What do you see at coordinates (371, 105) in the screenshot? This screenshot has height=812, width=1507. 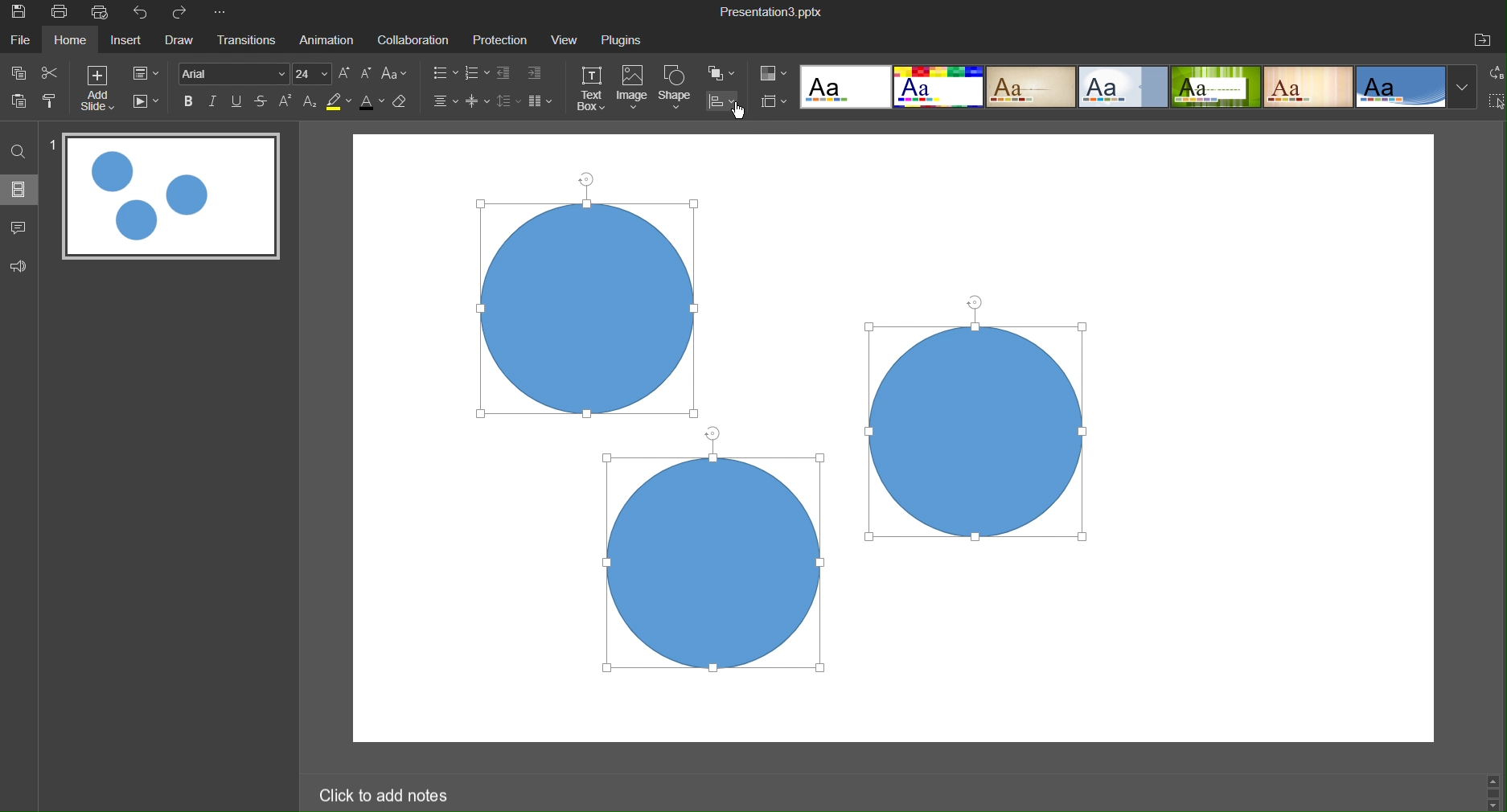 I see `Text Color` at bounding box center [371, 105].